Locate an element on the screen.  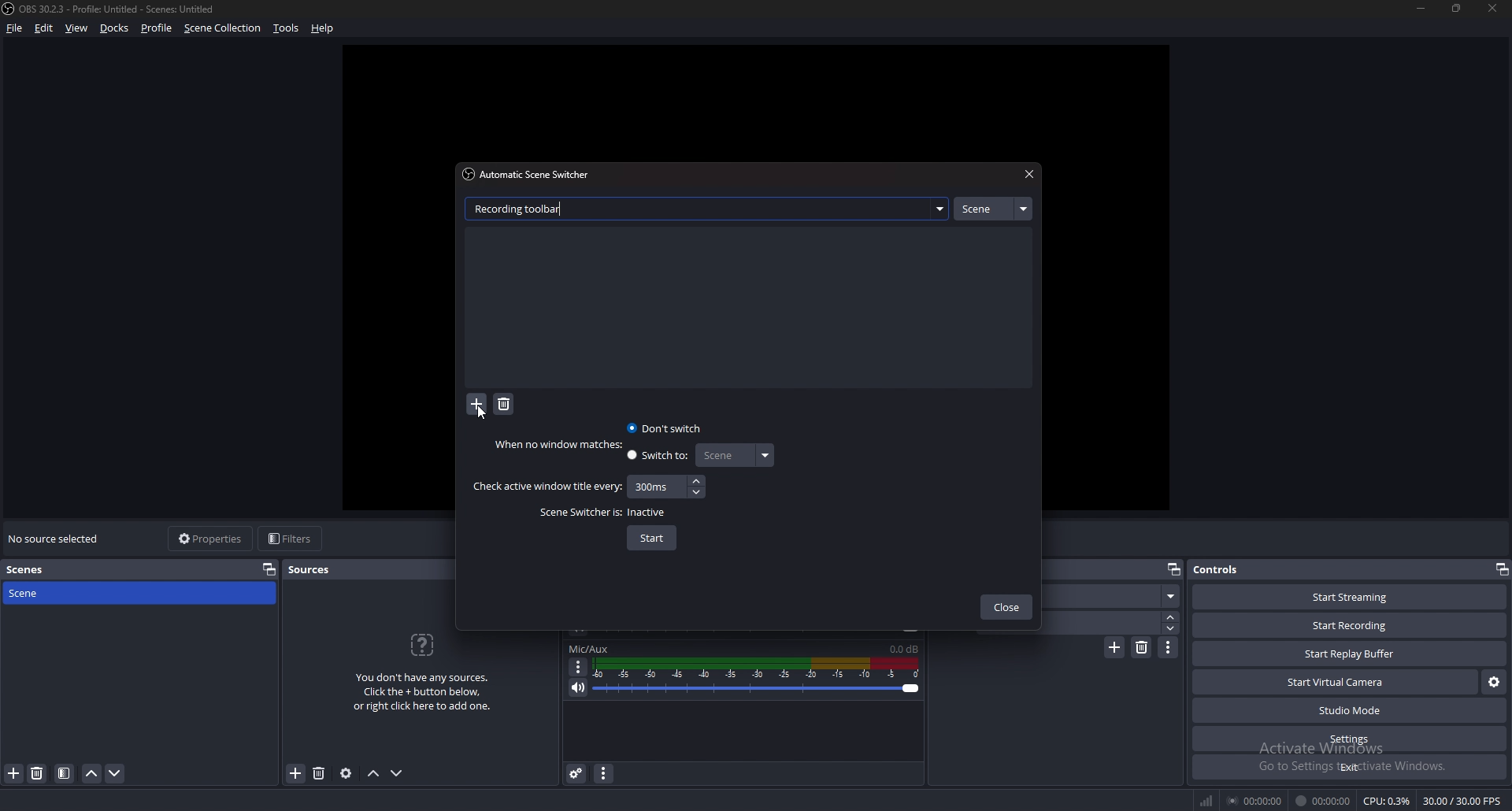
increase time is located at coordinates (696, 481).